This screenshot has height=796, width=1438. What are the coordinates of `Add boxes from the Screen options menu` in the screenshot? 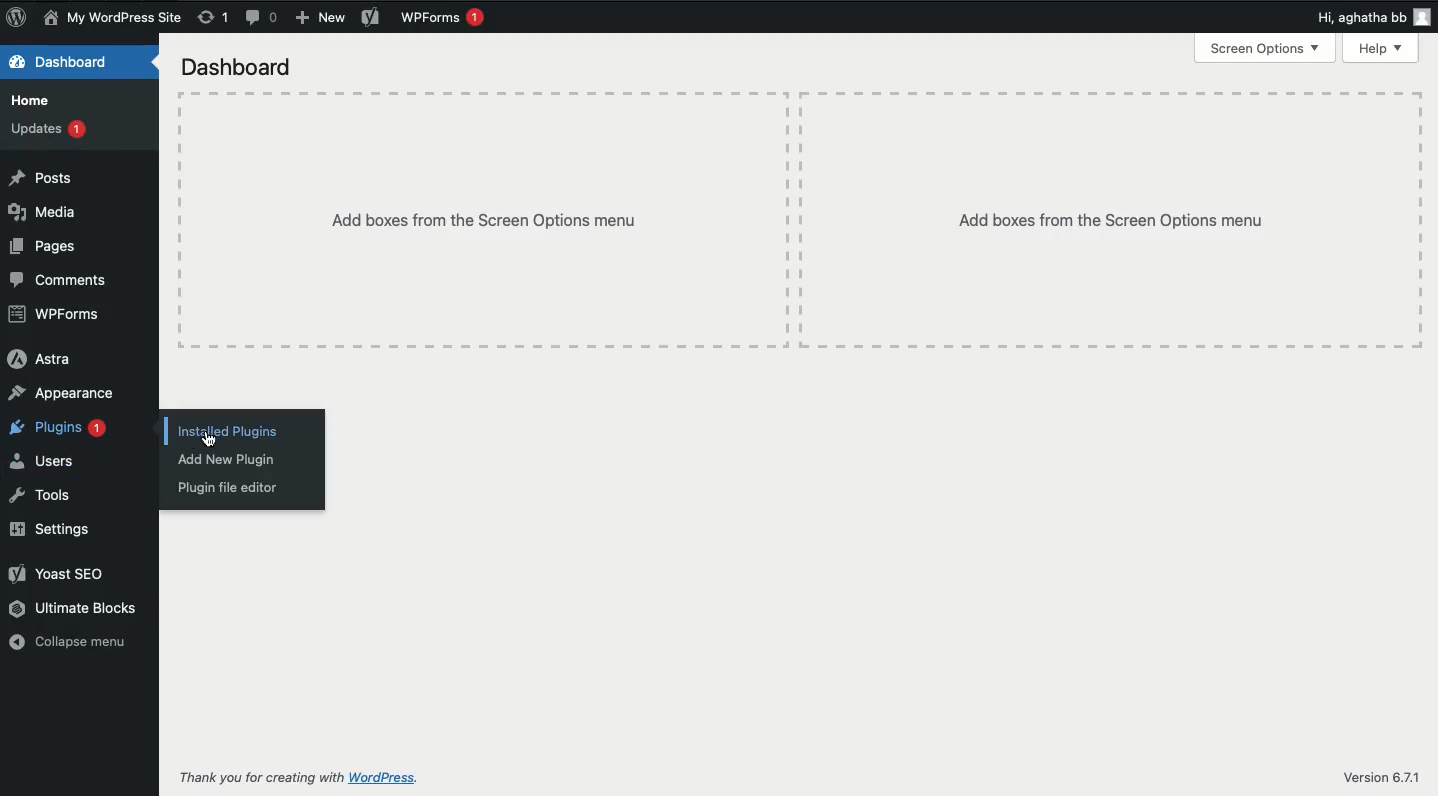 It's located at (1114, 218).